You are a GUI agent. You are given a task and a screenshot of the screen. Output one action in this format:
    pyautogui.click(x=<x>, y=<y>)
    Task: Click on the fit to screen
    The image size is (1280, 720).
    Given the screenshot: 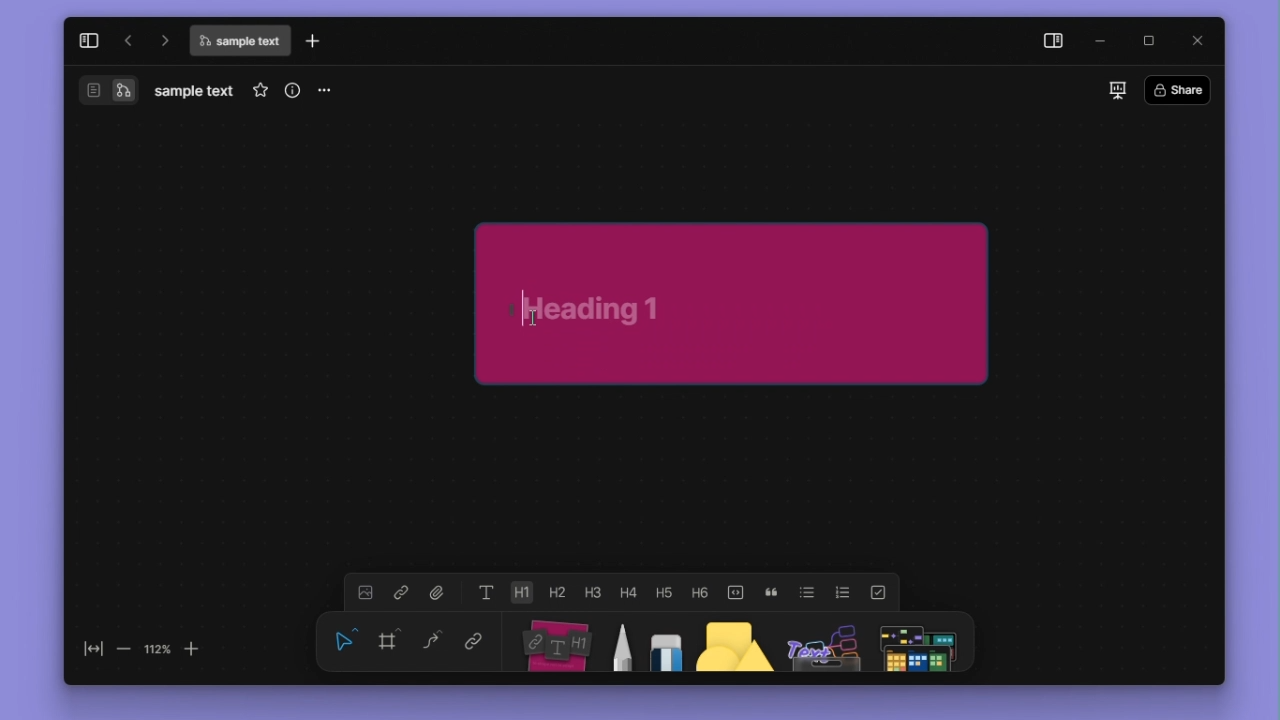 What is the action you would take?
    pyautogui.click(x=94, y=649)
    